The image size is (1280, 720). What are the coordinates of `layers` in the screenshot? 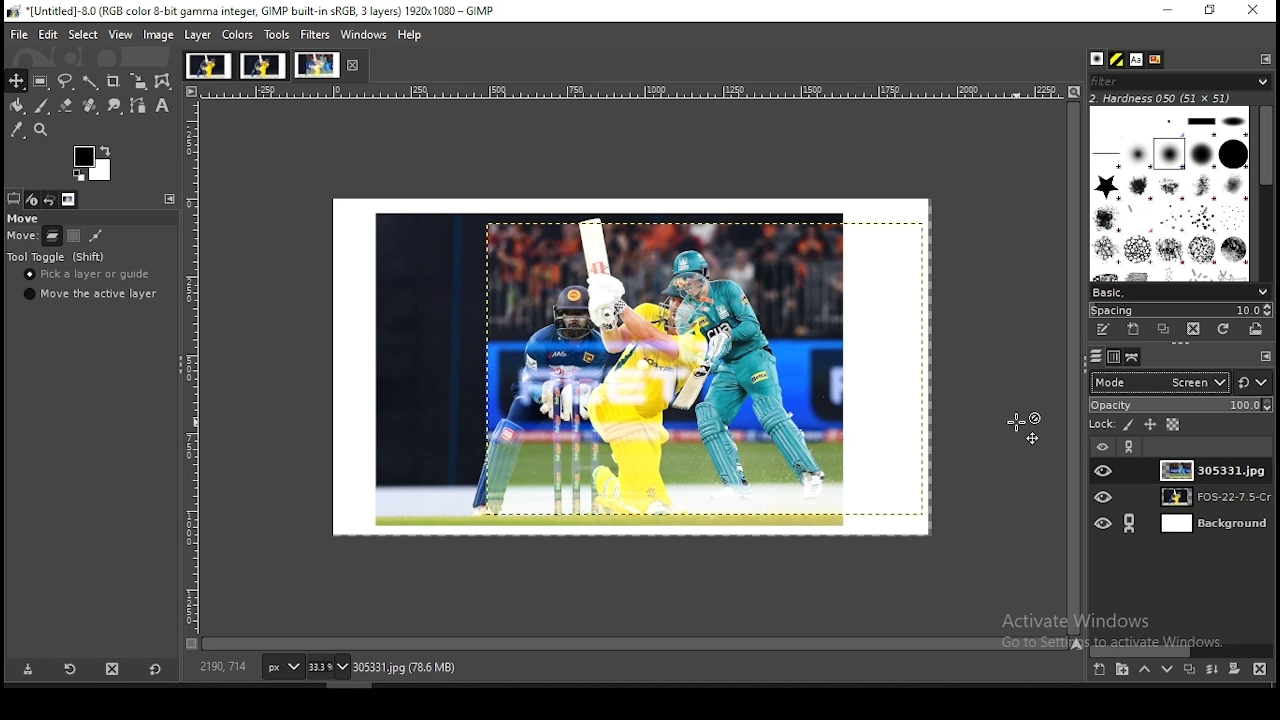 It's located at (1096, 357).